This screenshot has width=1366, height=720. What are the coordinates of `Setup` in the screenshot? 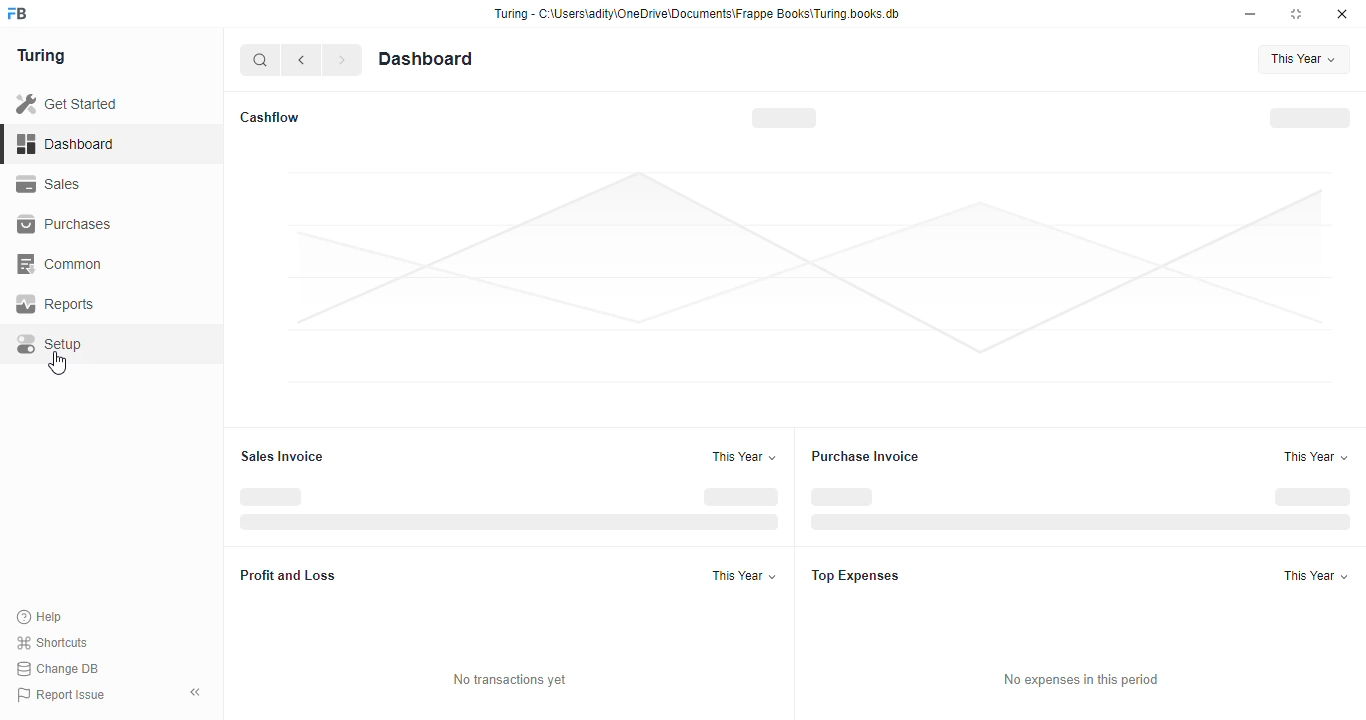 It's located at (108, 341).